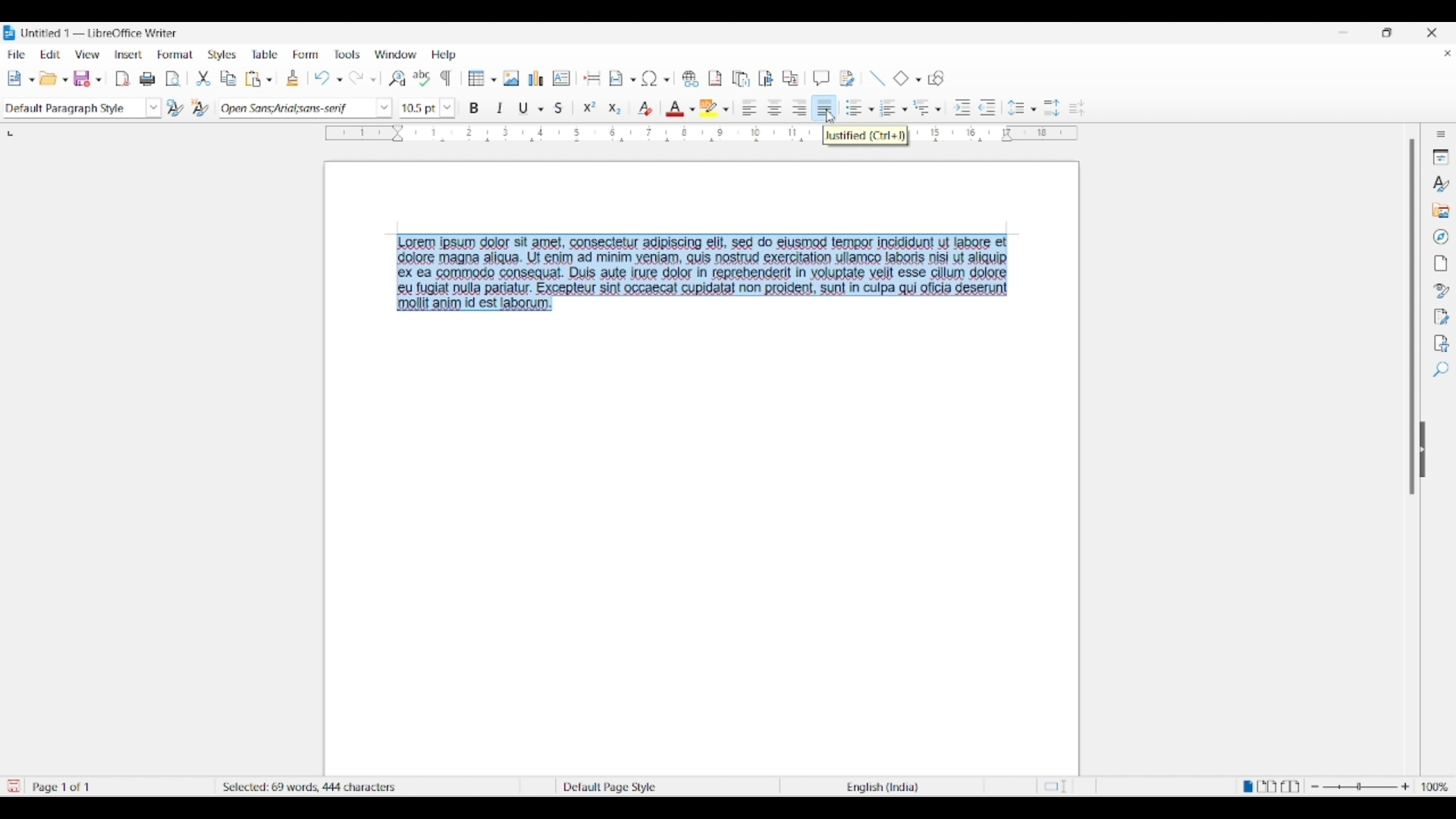  What do you see at coordinates (915, 80) in the screenshot?
I see `Basic shape options` at bounding box center [915, 80].